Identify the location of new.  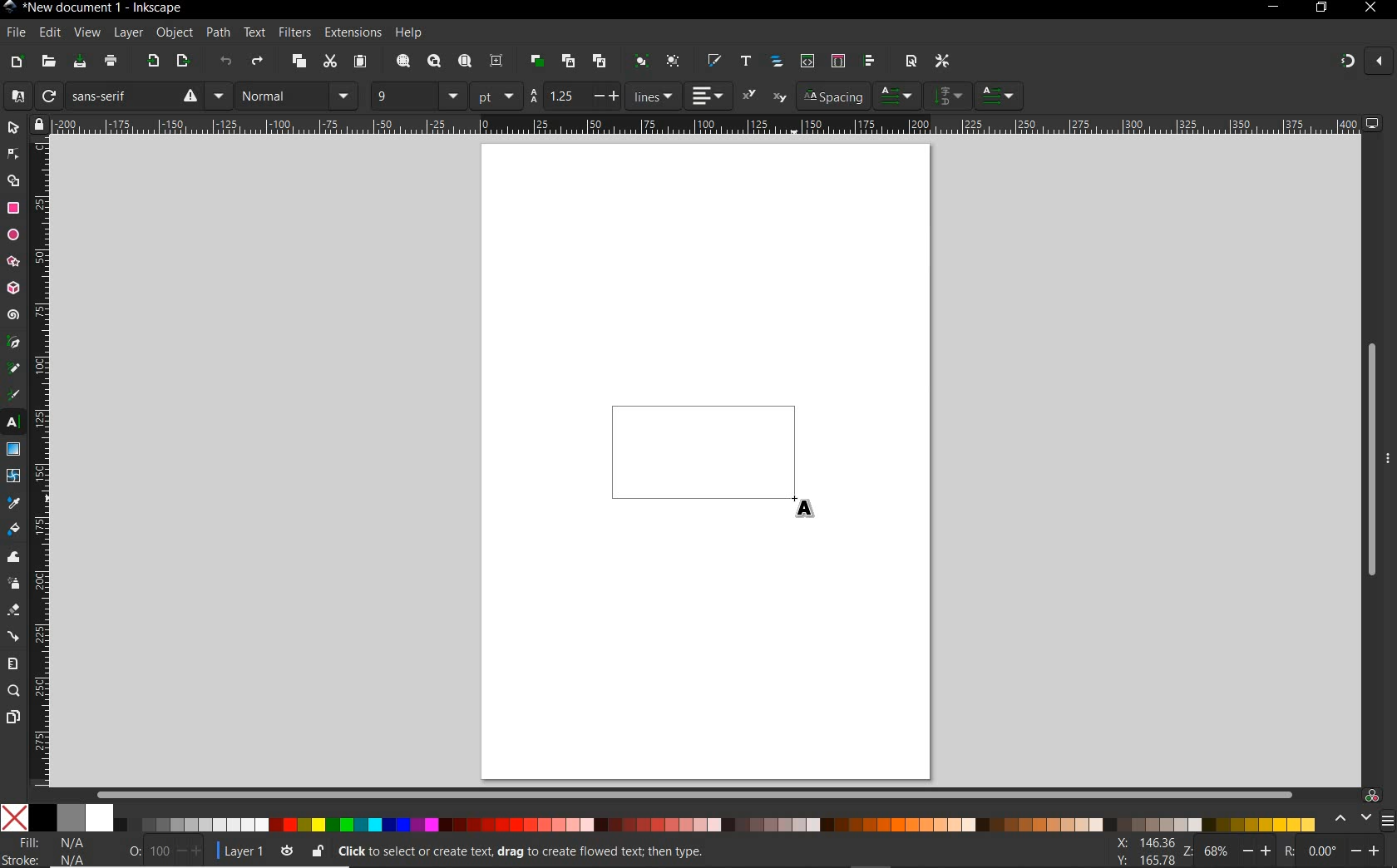
(16, 62).